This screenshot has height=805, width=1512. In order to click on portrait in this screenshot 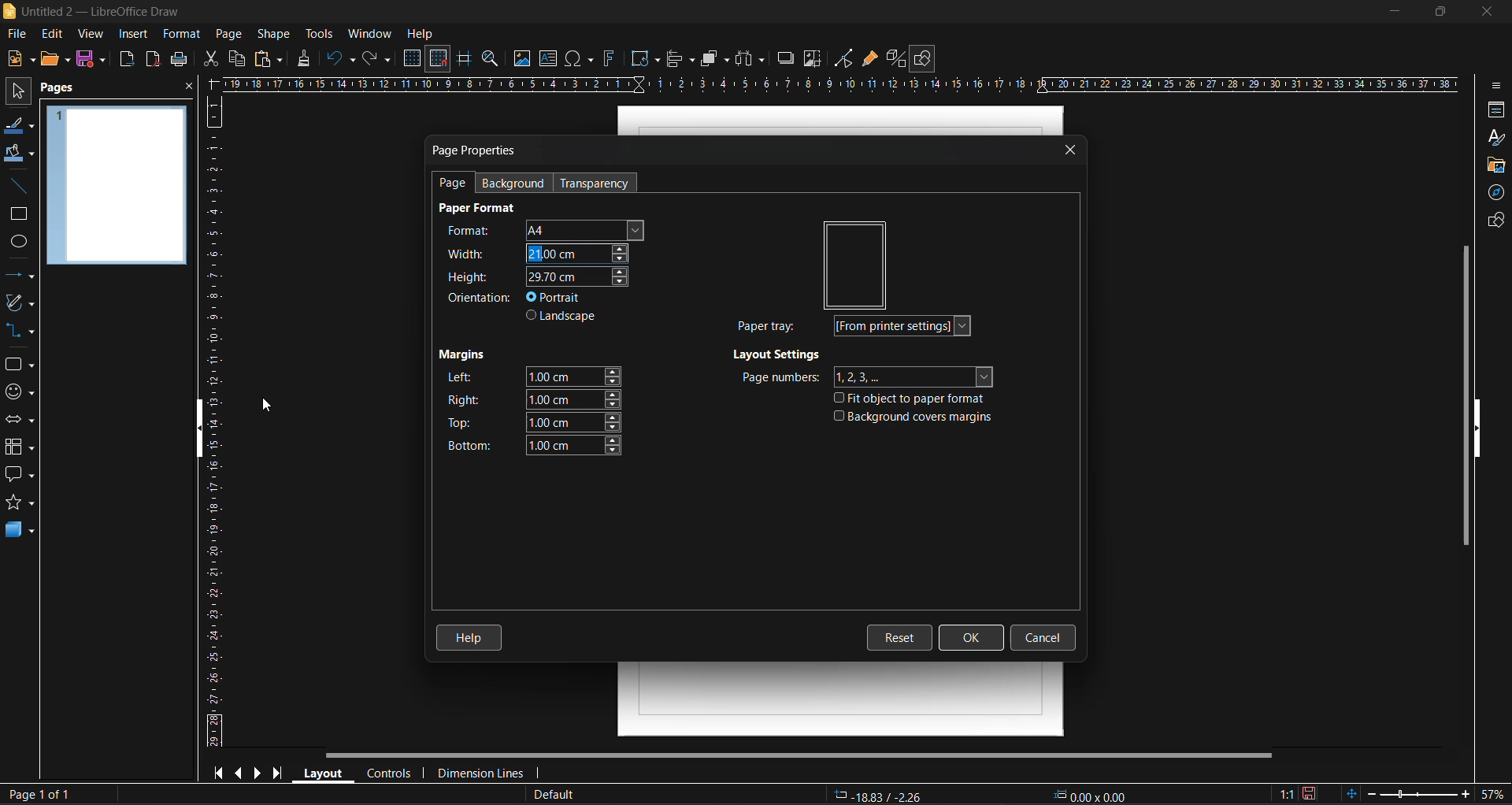, I will do `click(558, 297)`.